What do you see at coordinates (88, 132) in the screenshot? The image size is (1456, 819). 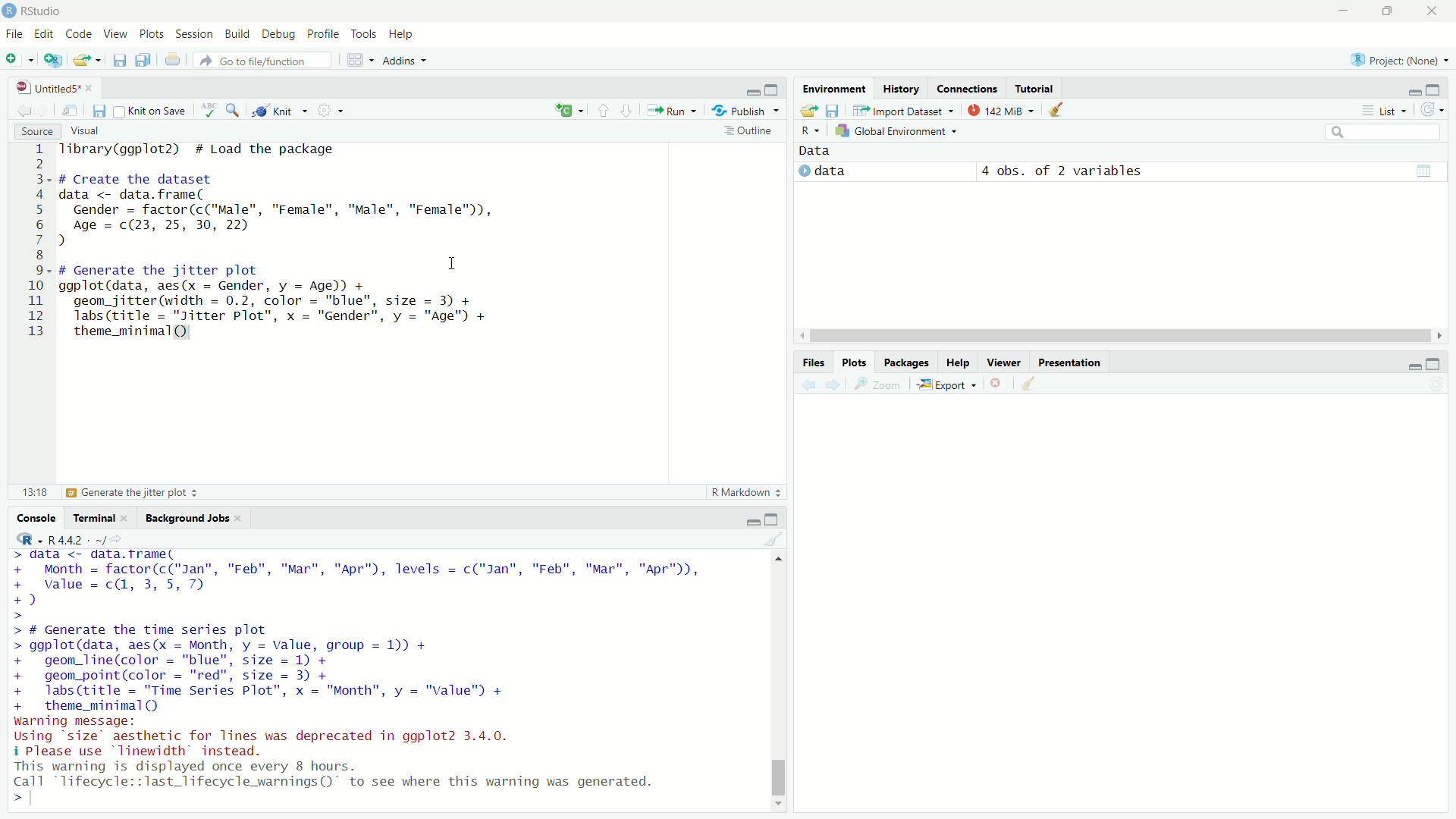 I see `visual` at bounding box center [88, 132].